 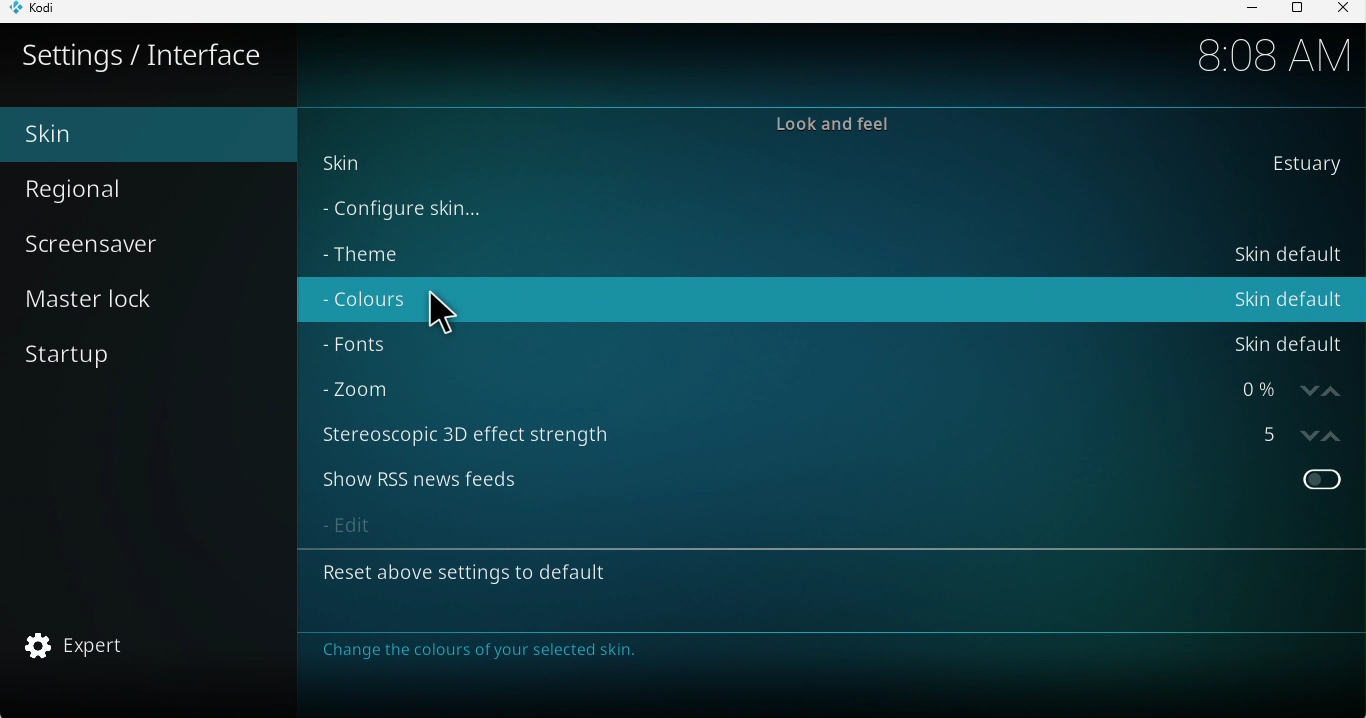 I want to click on Look and feel, so click(x=813, y=123).